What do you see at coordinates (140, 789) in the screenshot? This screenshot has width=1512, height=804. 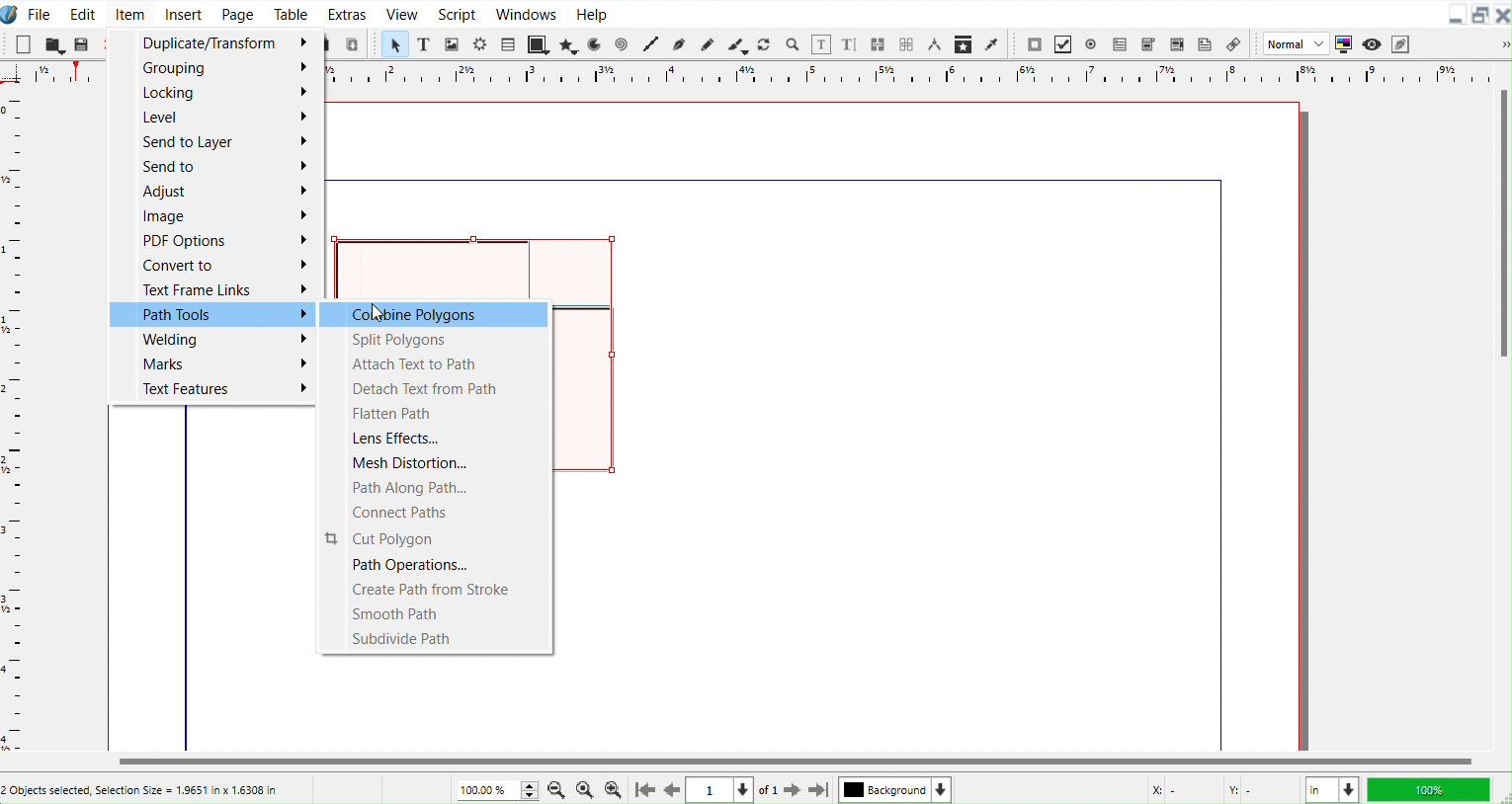 I see `Poligon selected : Size = 1.3755 in x 1.1558 in’` at bounding box center [140, 789].